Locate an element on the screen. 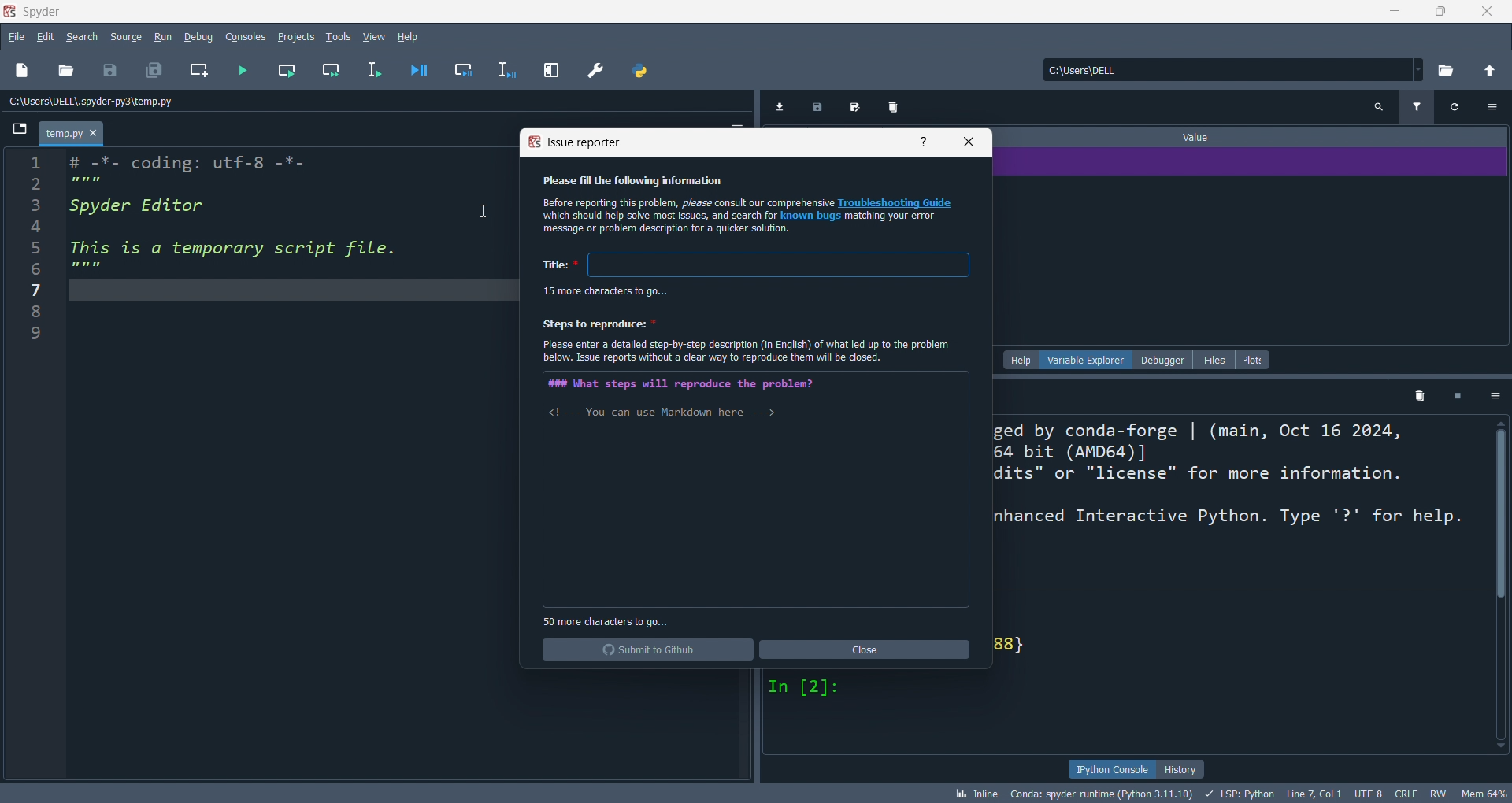 The image size is (1512, 803). known bugs  is located at coordinates (813, 216).